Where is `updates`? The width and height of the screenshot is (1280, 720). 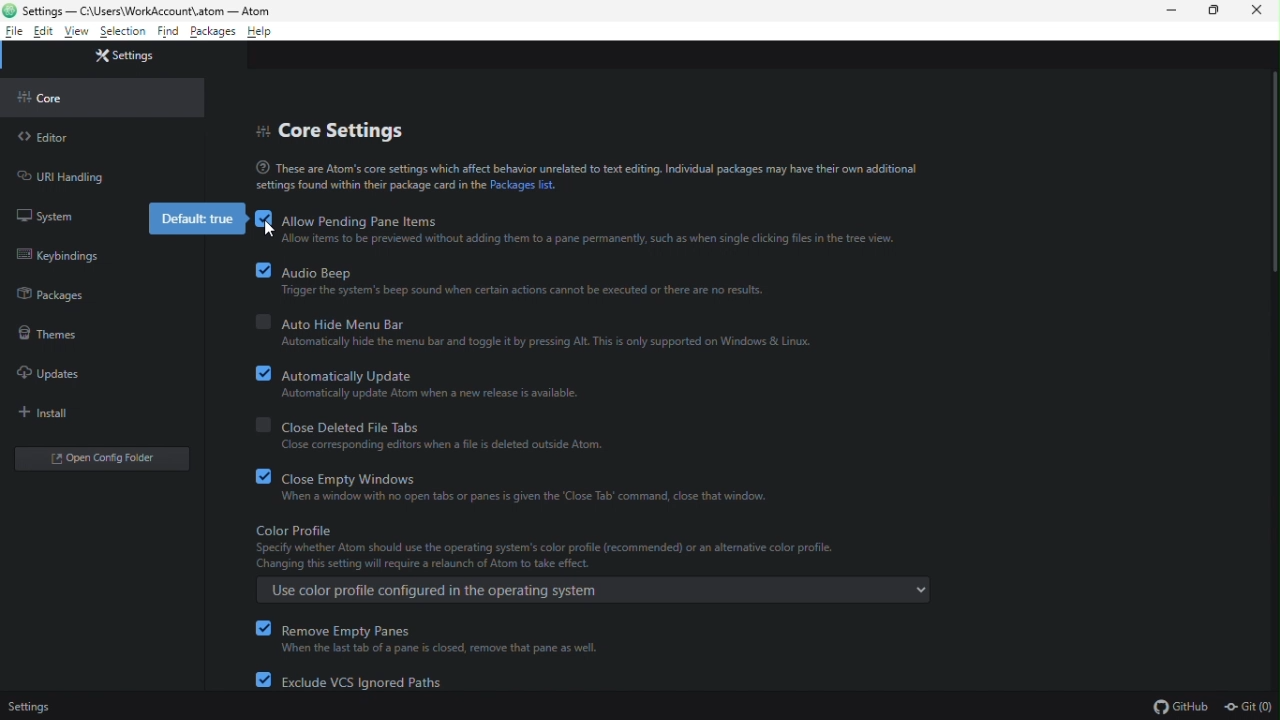
updates is located at coordinates (55, 375).